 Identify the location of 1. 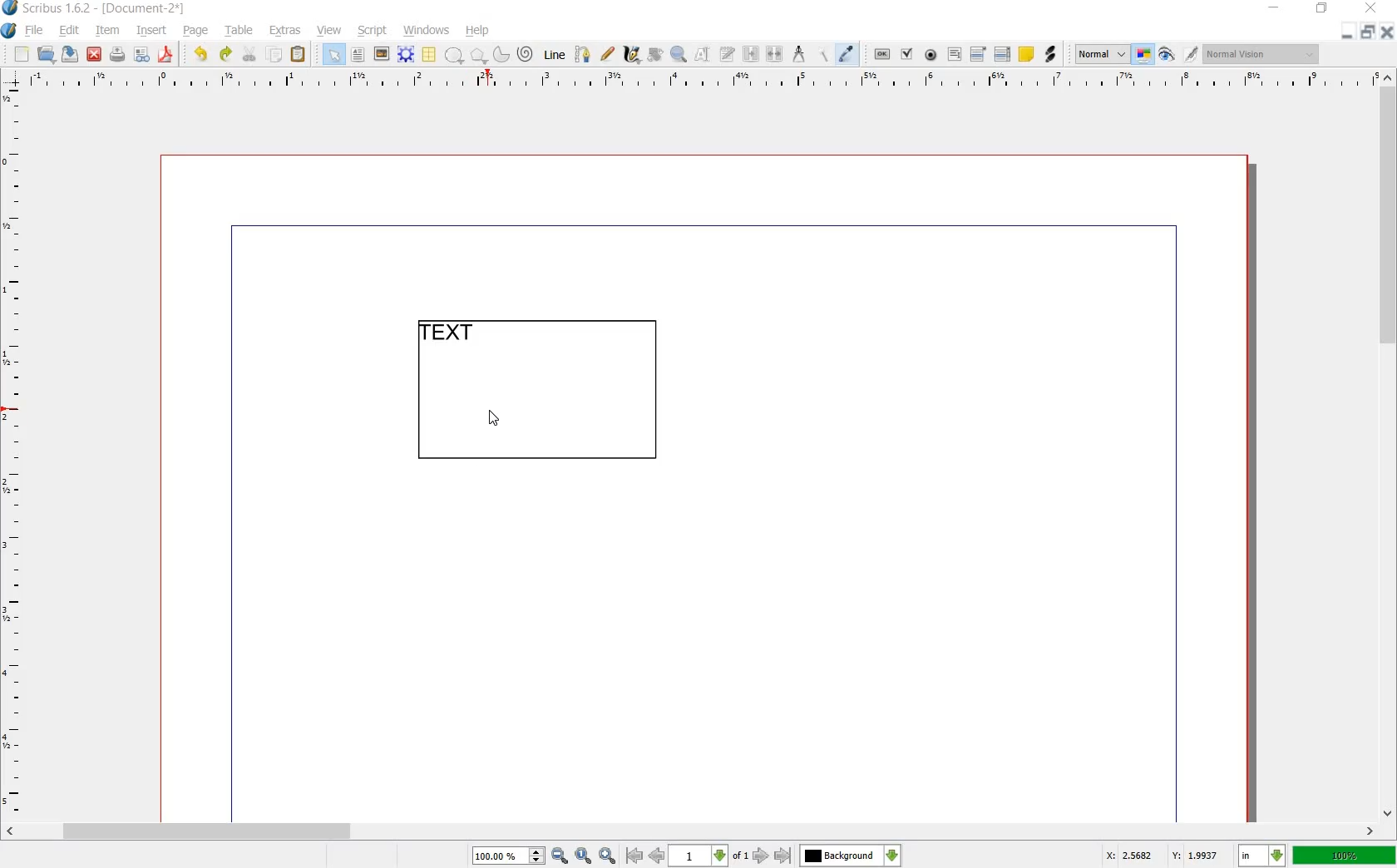
(697, 856).